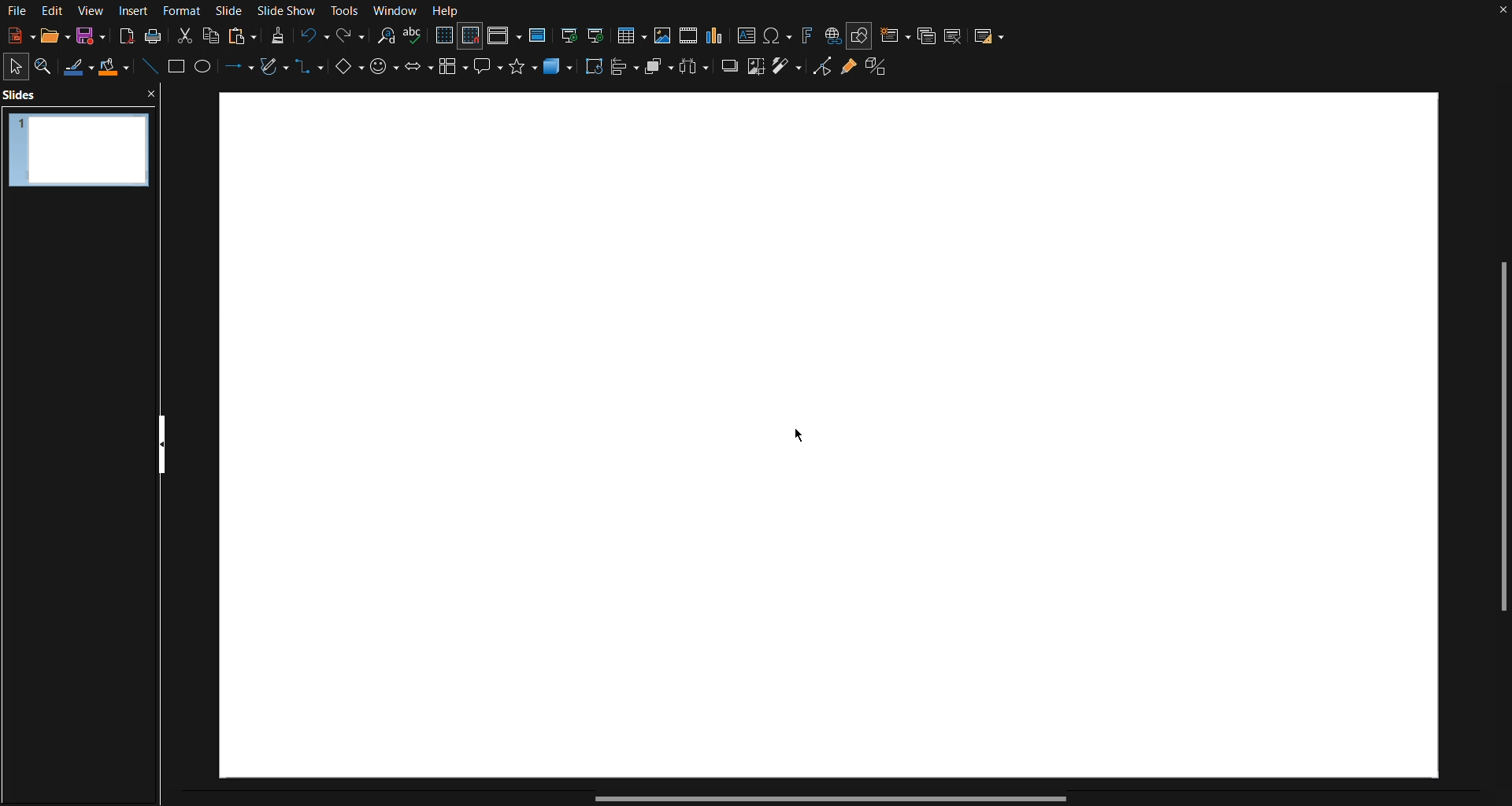 This screenshot has width=1512, height=806. What do you see at coordinates (242, 35) in the screenshot?
I see `Paste` at bounding box center [242, 35].